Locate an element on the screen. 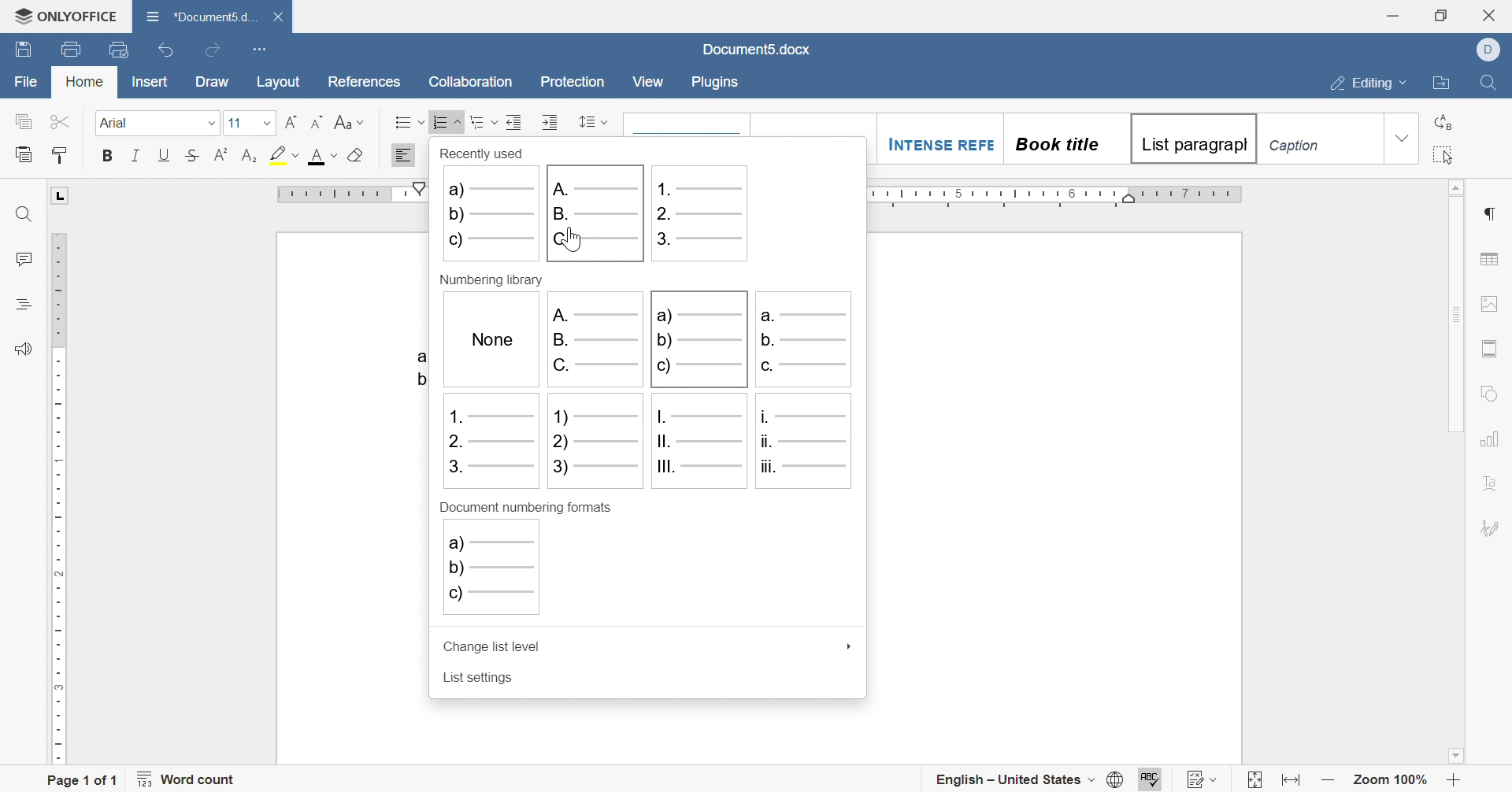 This screenshot has height=792, width=1512. references is located at coordinates (364, 83).